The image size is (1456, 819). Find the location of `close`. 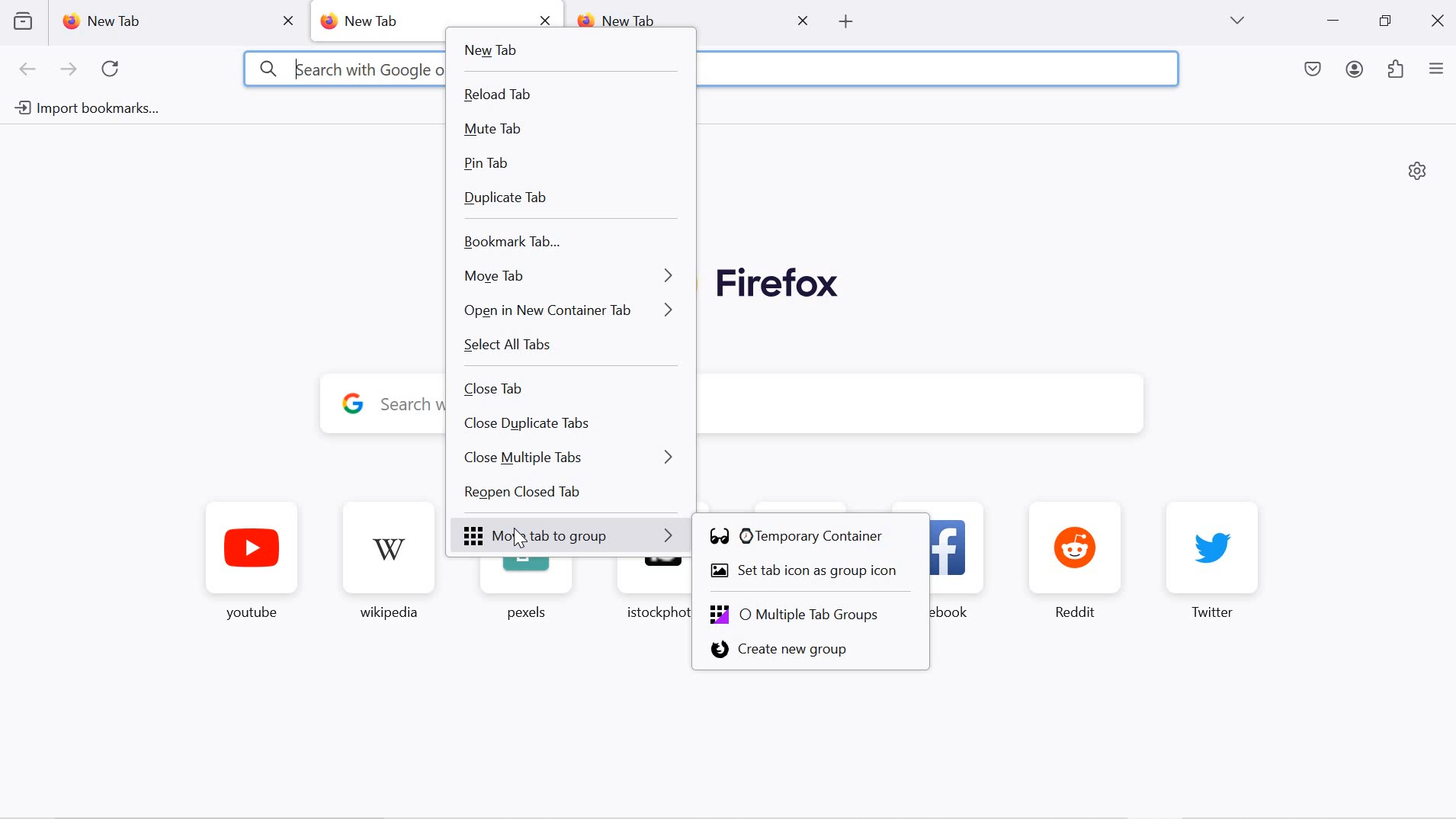

close is located at coordinates (805, 19).